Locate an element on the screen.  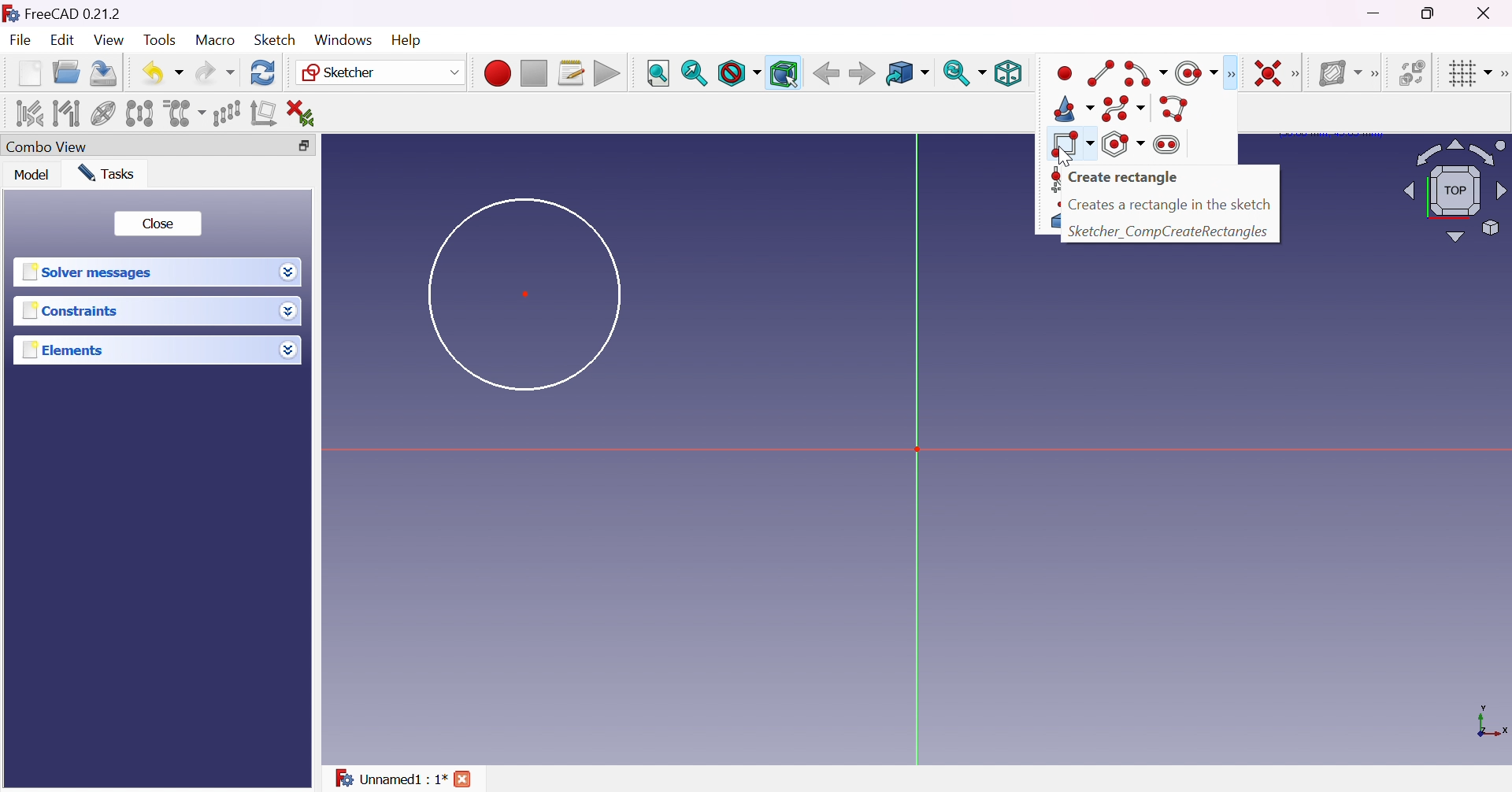
Macros is located at coordinates (572, 73).